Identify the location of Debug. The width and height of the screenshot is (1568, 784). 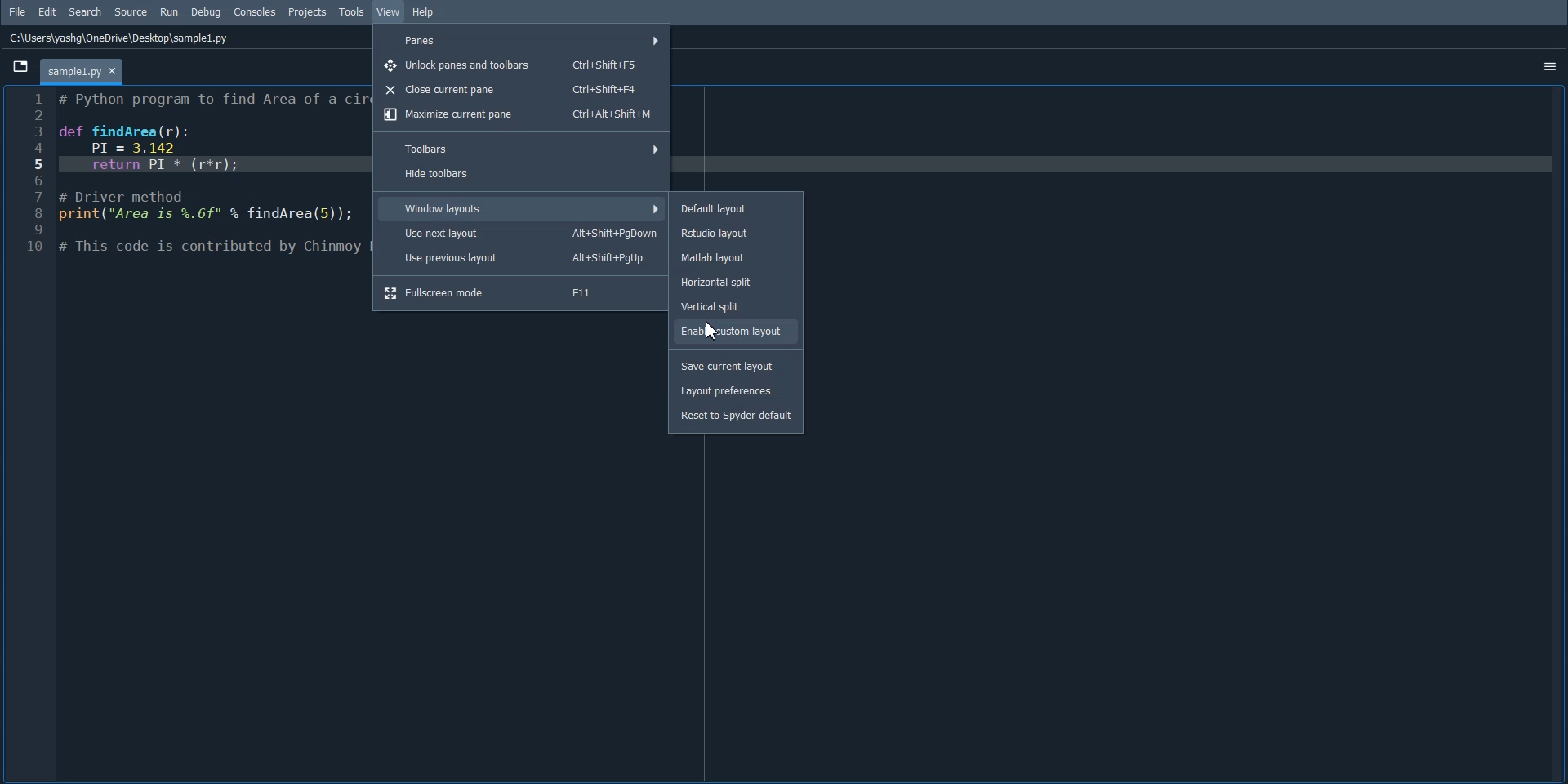
(206, 12).